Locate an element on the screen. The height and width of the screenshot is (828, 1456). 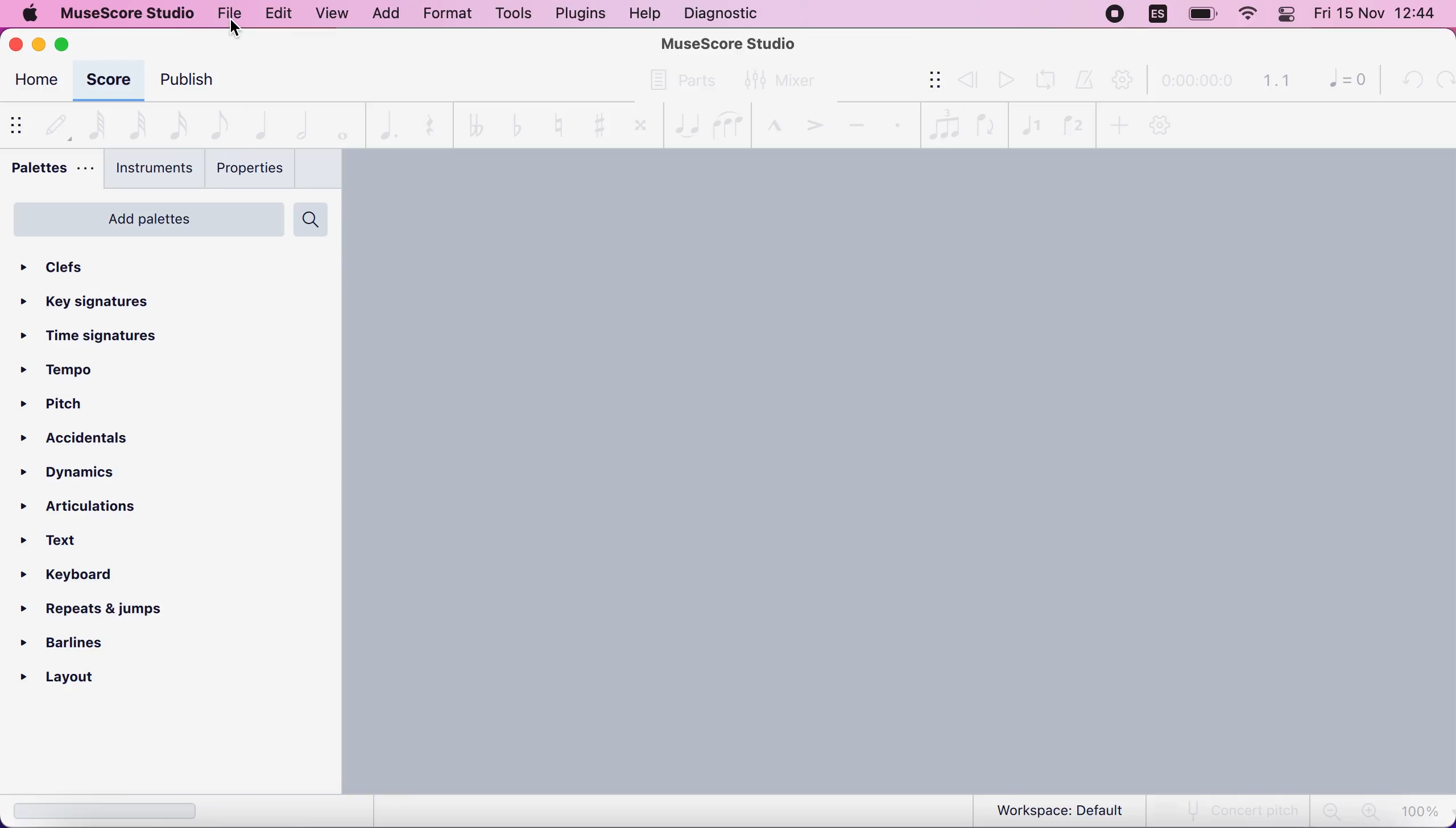
layout is located at coordinates (92, 678).